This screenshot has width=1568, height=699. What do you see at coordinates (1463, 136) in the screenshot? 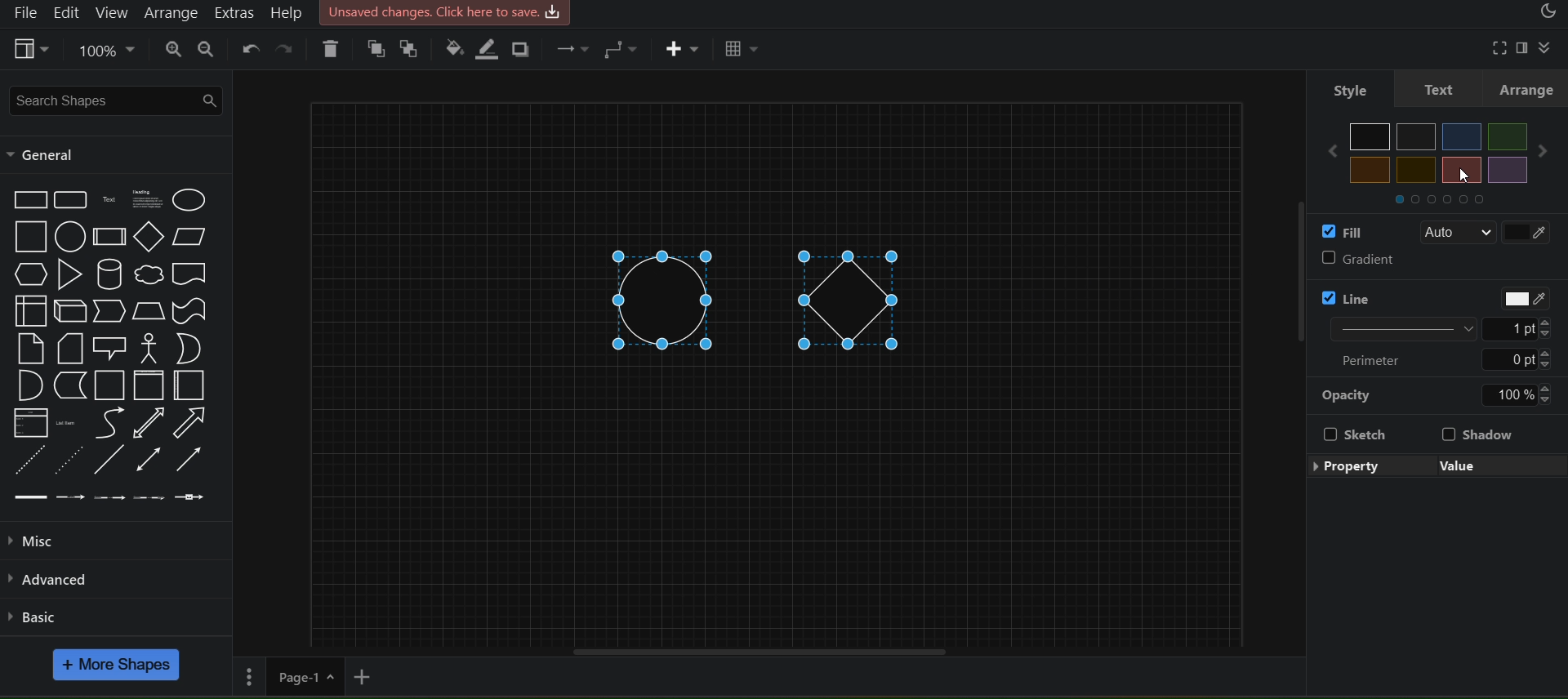
I see `` at bounding box center [1463, 136].